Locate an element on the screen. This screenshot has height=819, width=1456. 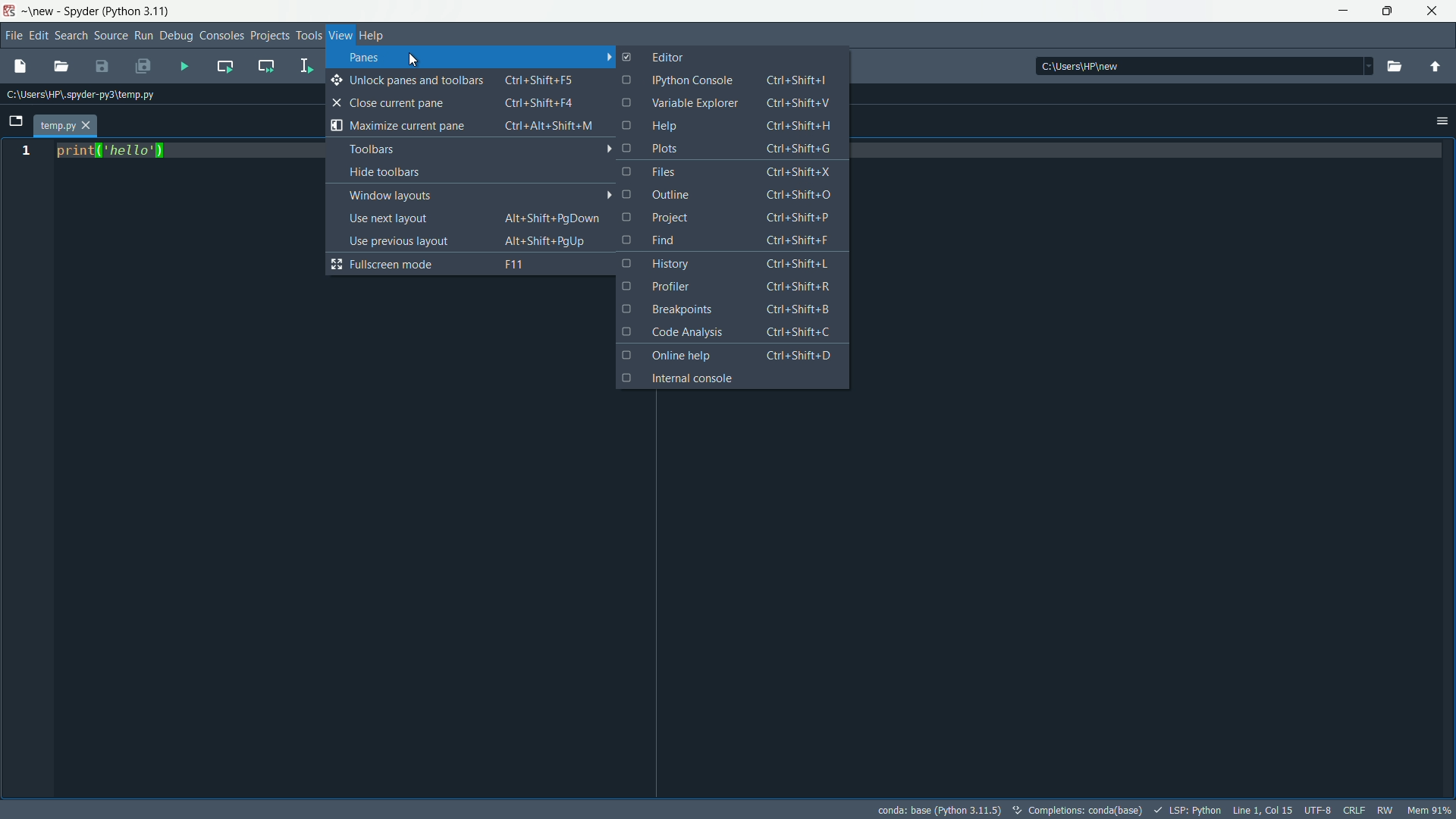
close app is located at coordinates (1436, 11).